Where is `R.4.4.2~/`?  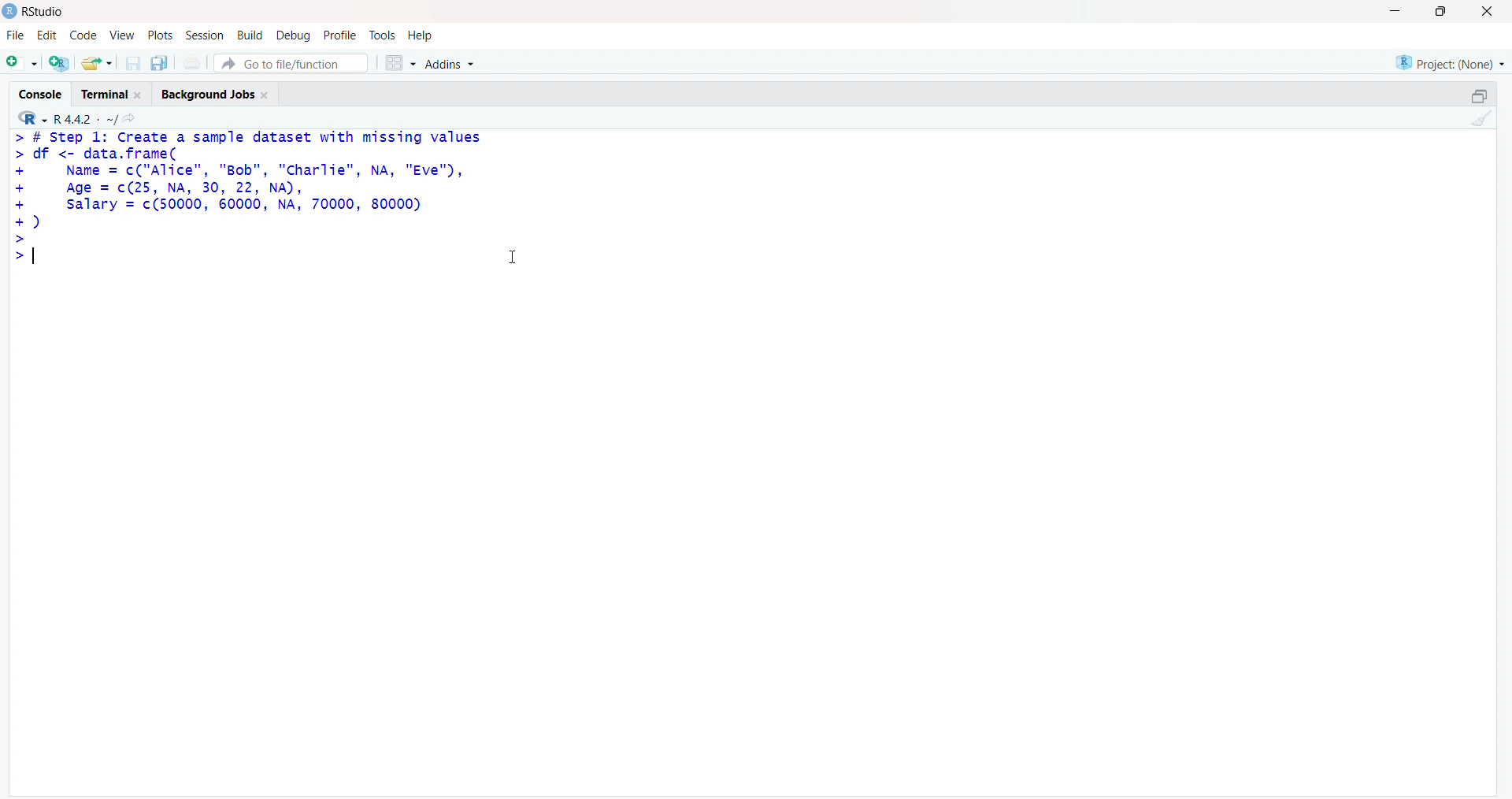
R.4.4.2~/ is located at coordinates (85, 119).